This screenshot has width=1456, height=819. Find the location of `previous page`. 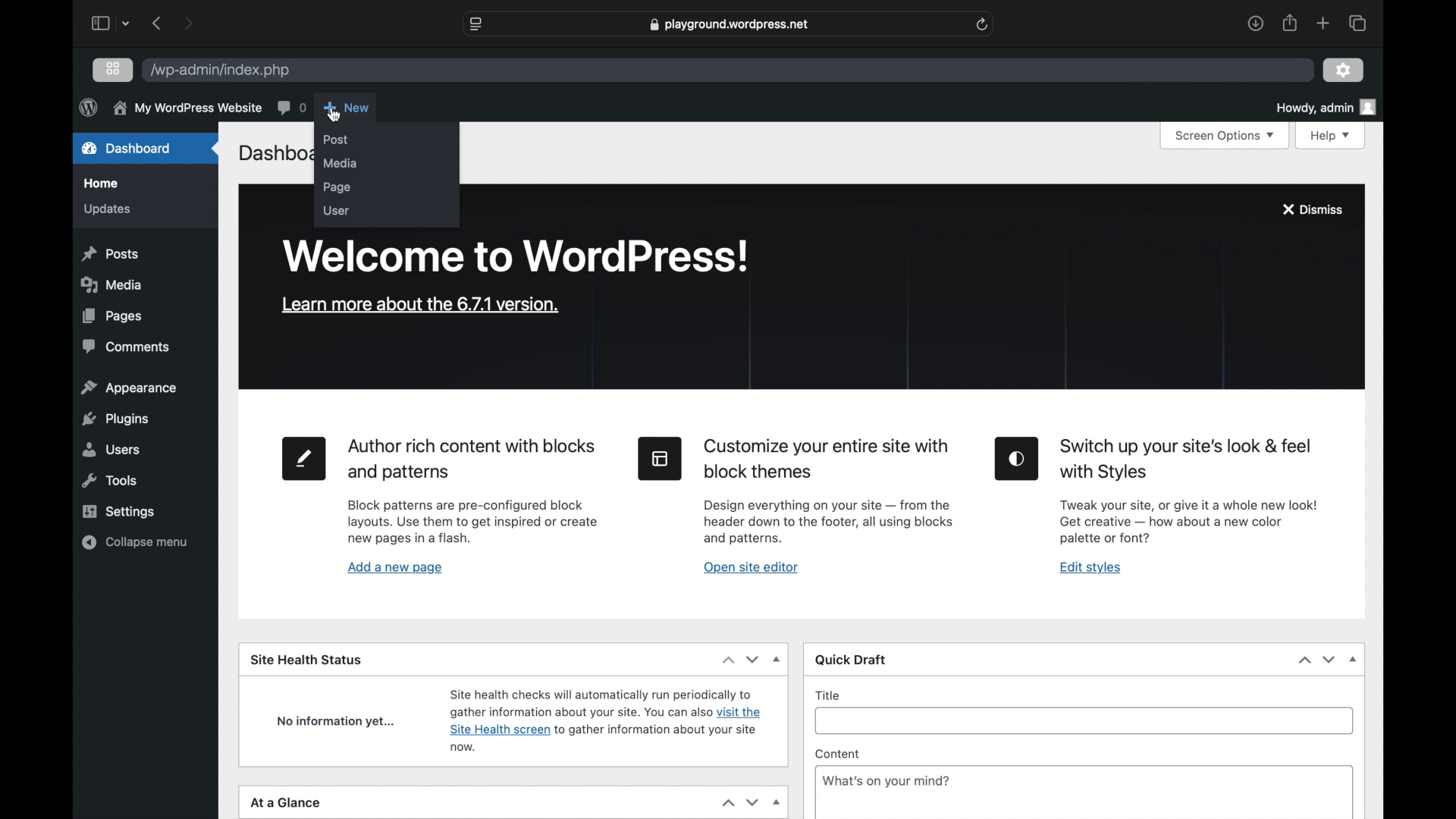

previous page is located at coordinates (158, 24).